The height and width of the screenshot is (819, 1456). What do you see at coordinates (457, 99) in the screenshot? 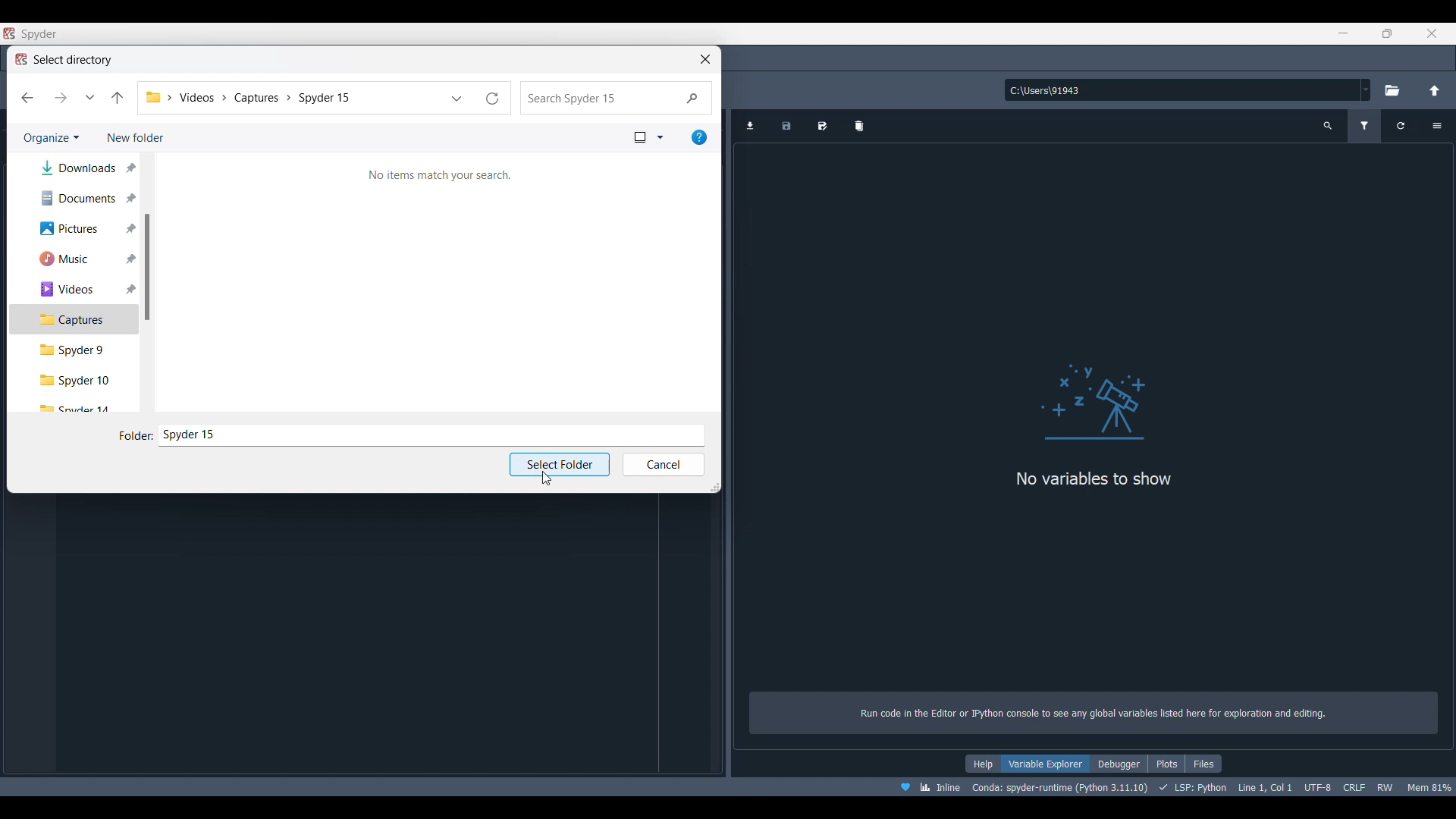
I see `Location options` at bounding box center [457, 99].